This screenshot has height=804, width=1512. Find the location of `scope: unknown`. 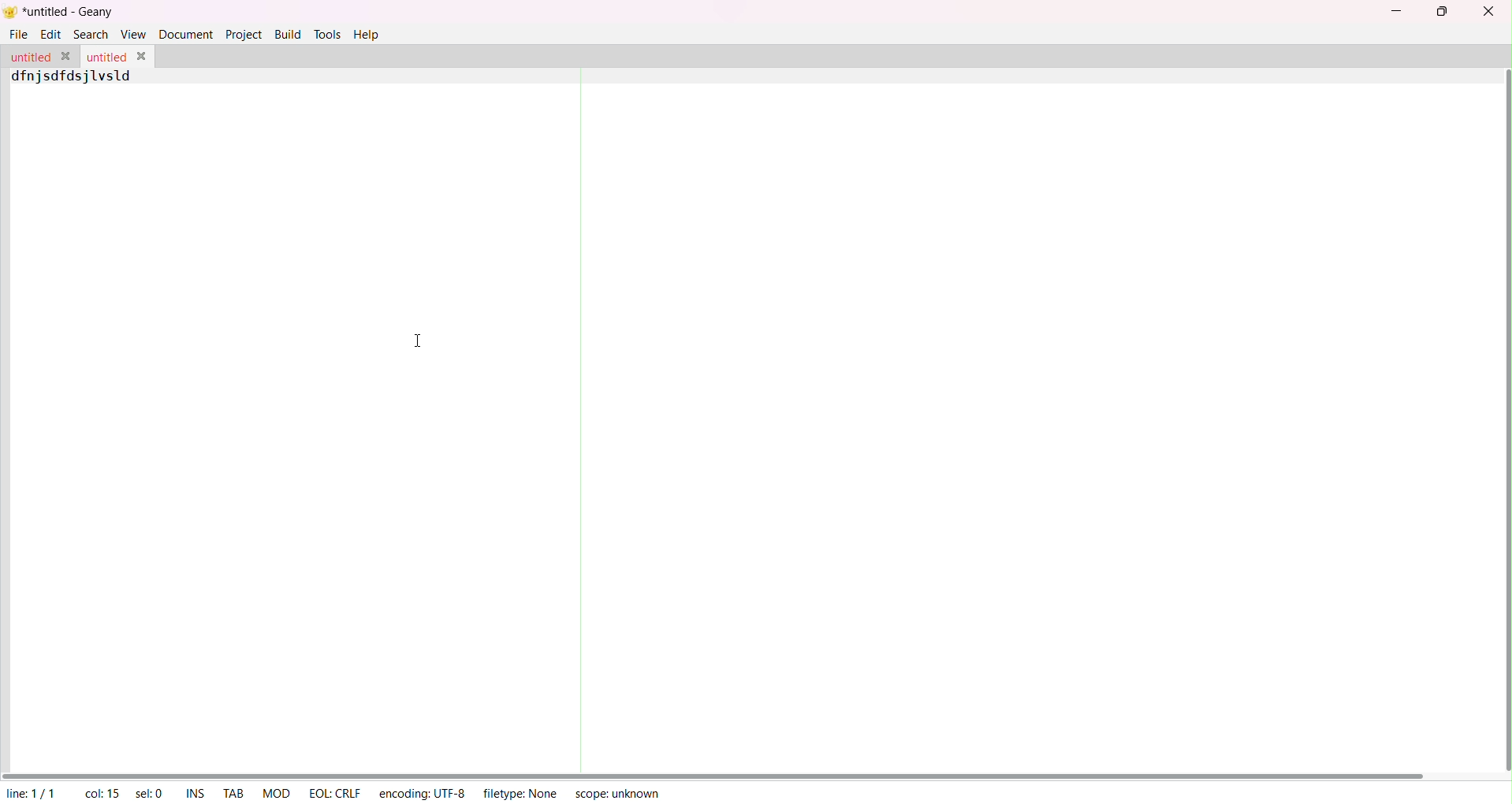

scope: unknown is located at coordinates (619, 794).